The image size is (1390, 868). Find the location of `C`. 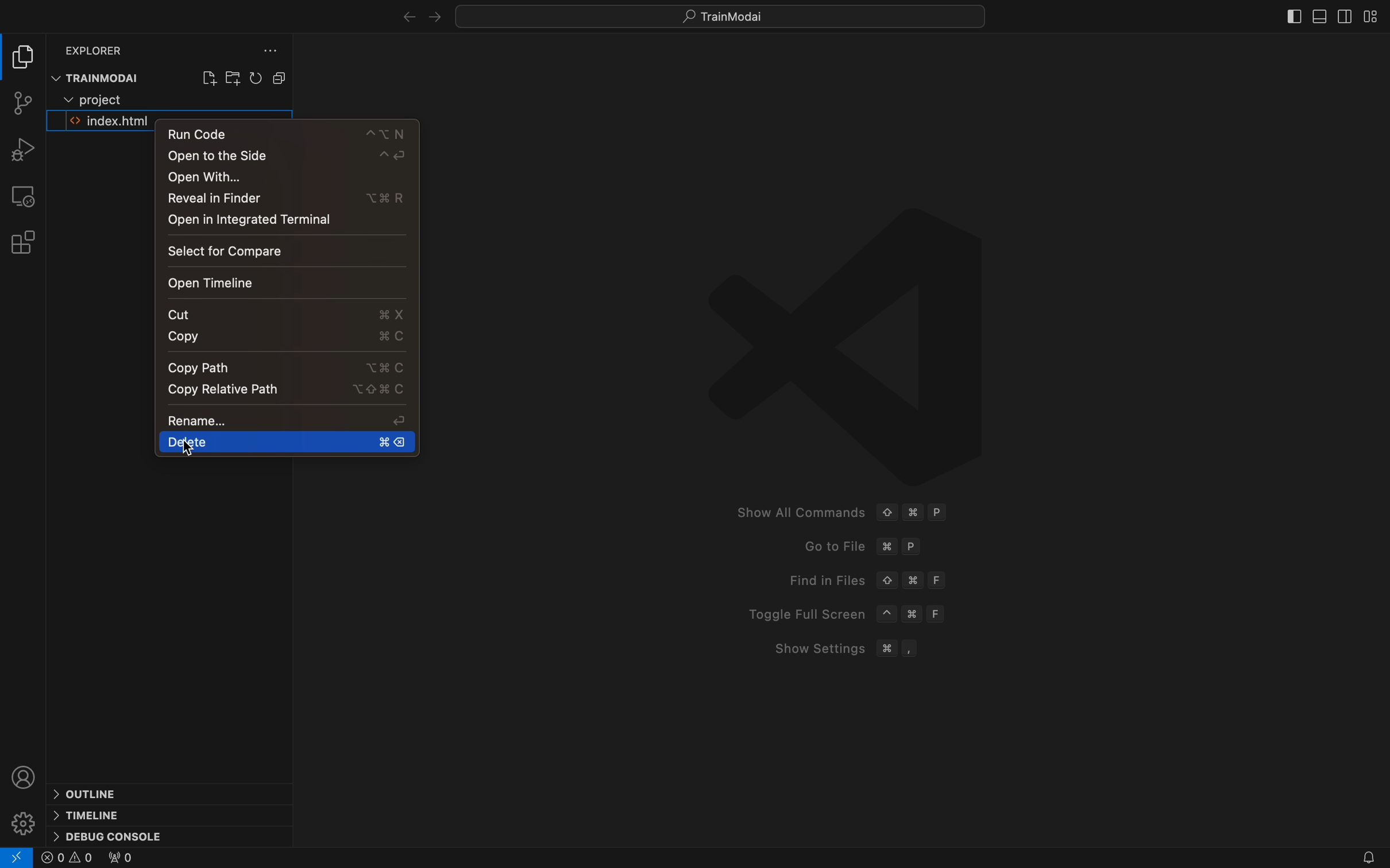

C is located at coordinates (385, 369).